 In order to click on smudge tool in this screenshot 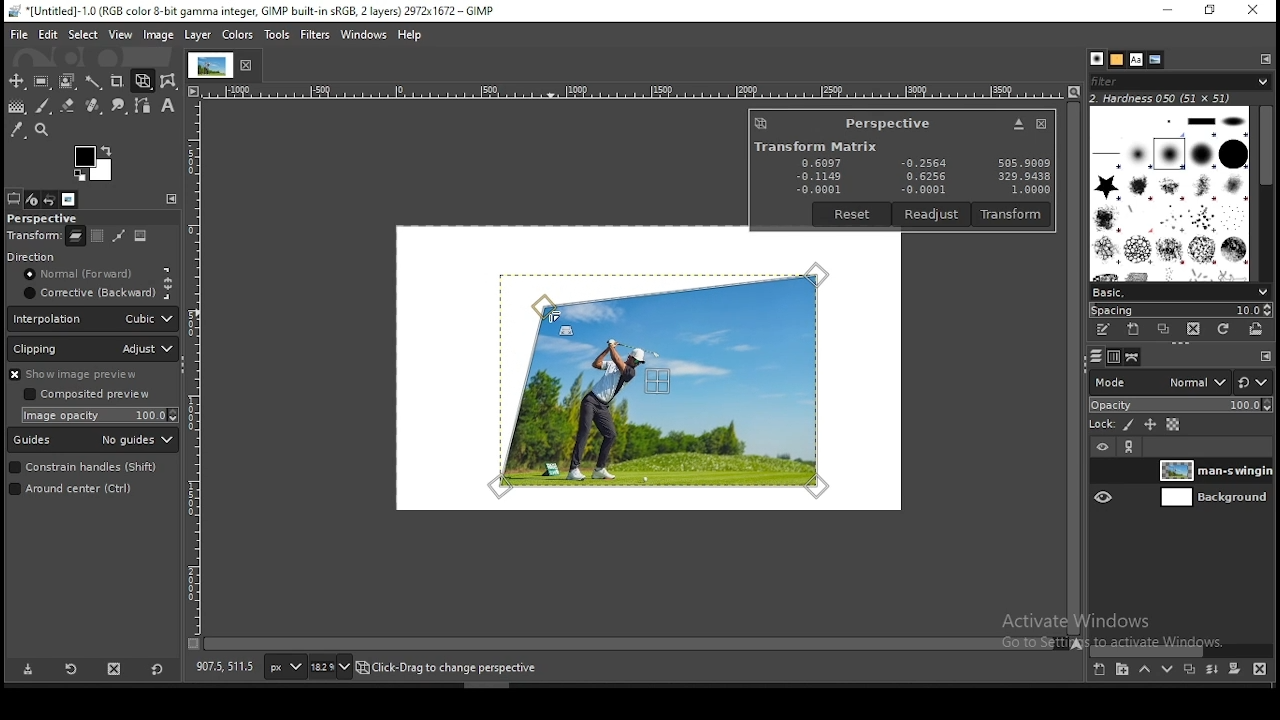, I will do `click(120, 105)`.